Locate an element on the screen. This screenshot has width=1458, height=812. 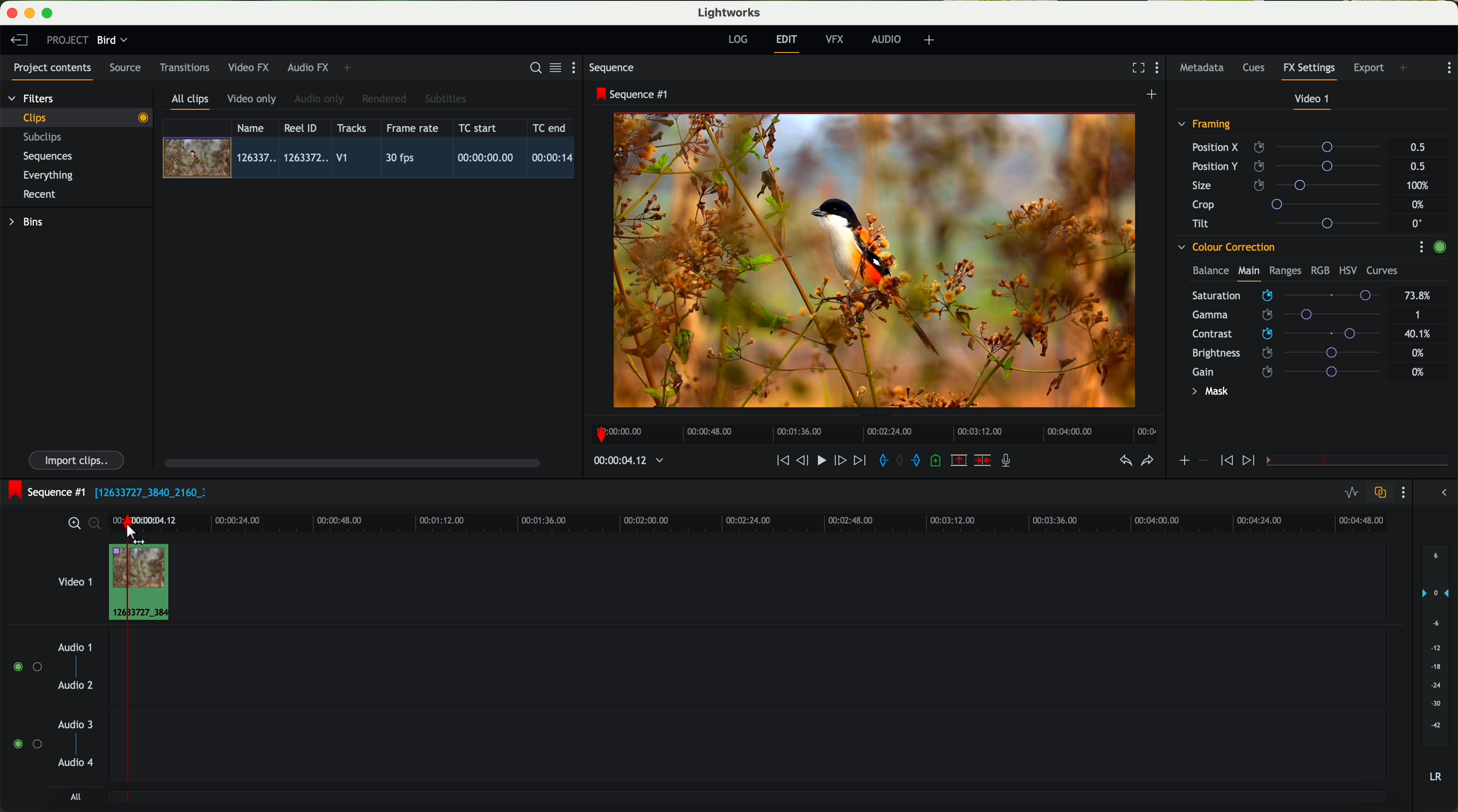
show settings menu is located at coordinates (1421, 247).